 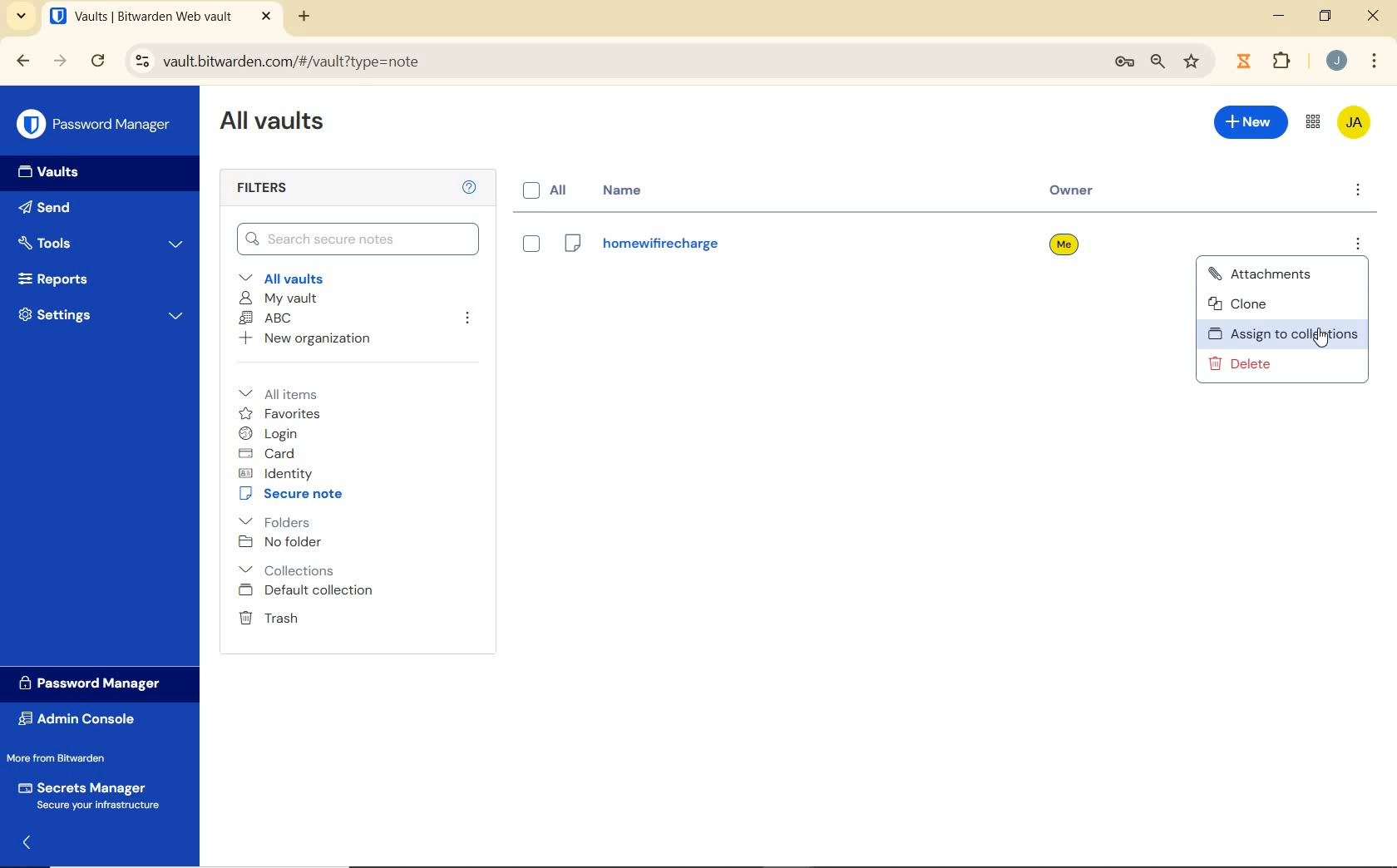 What do you see at coordinates (628, 190) in the screenshot?
I see `name` at bounding box center [628, 190].